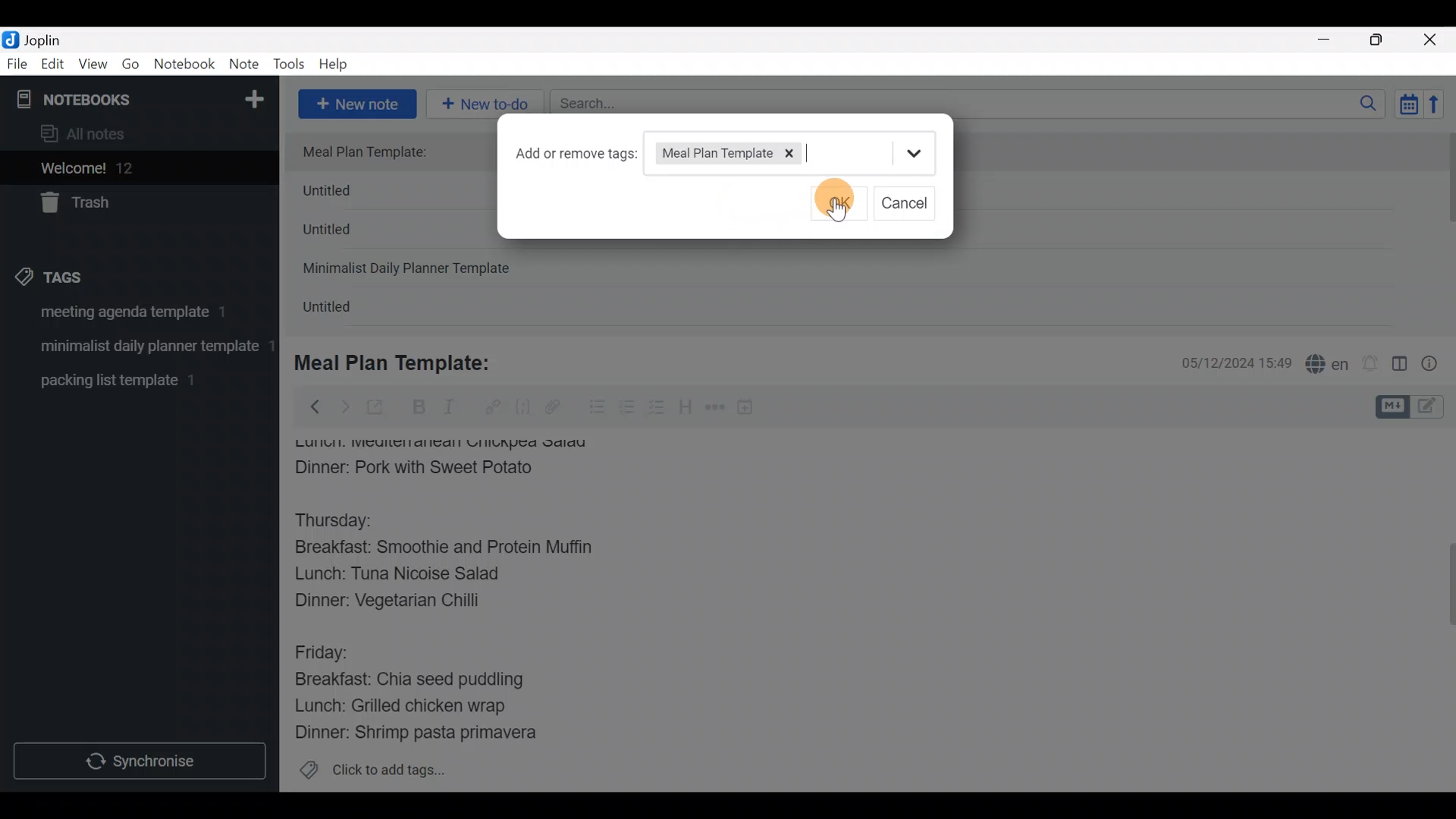  Describe the element at coordinates (447, 410) in the screenshot. I see `Italic` at that location.